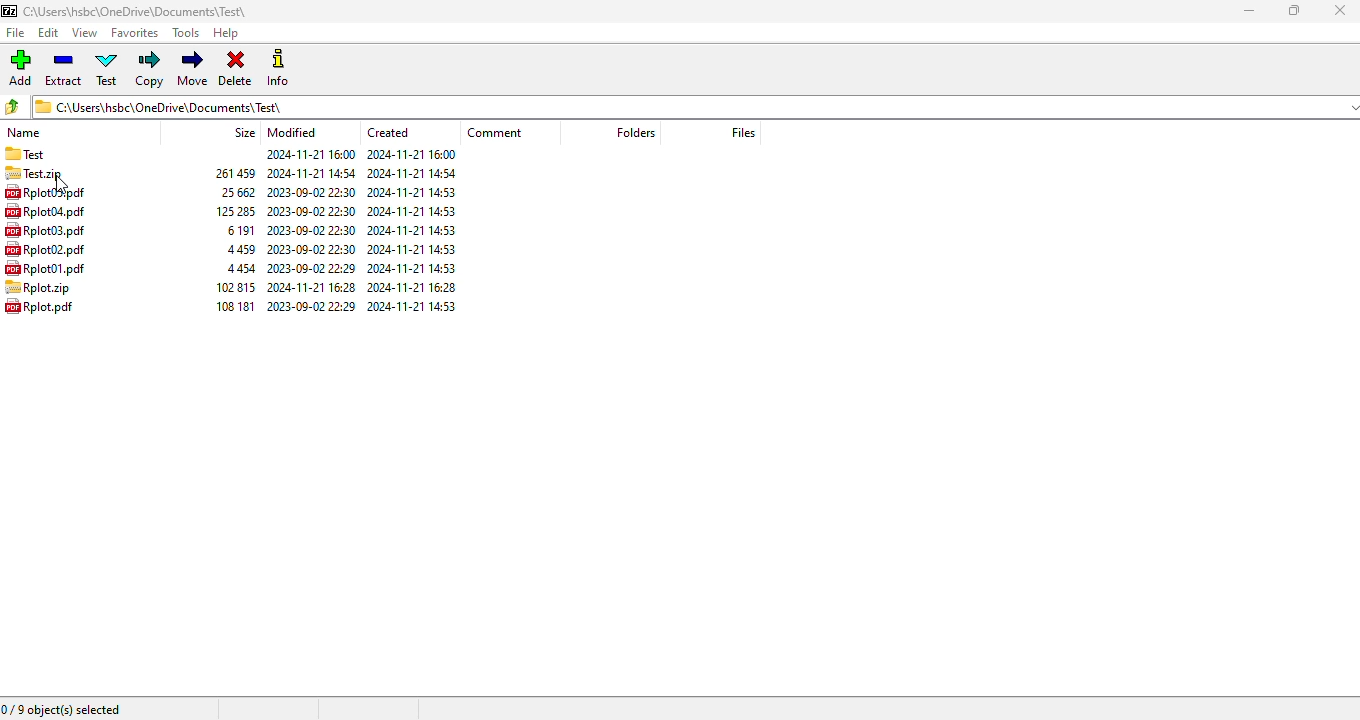 Image resolution: width=1360 pixels, height=720 pixels. I want to click on file name, so click(44, 211).